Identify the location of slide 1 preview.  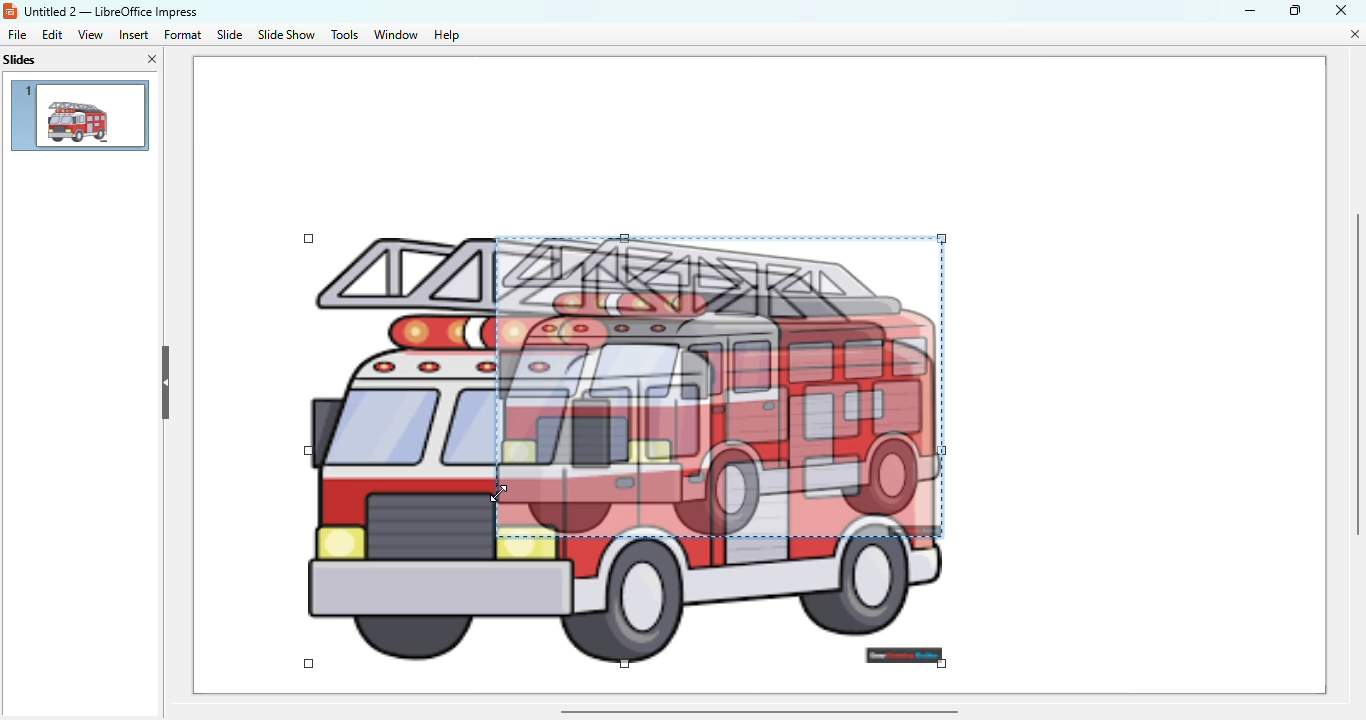
(79, 115).